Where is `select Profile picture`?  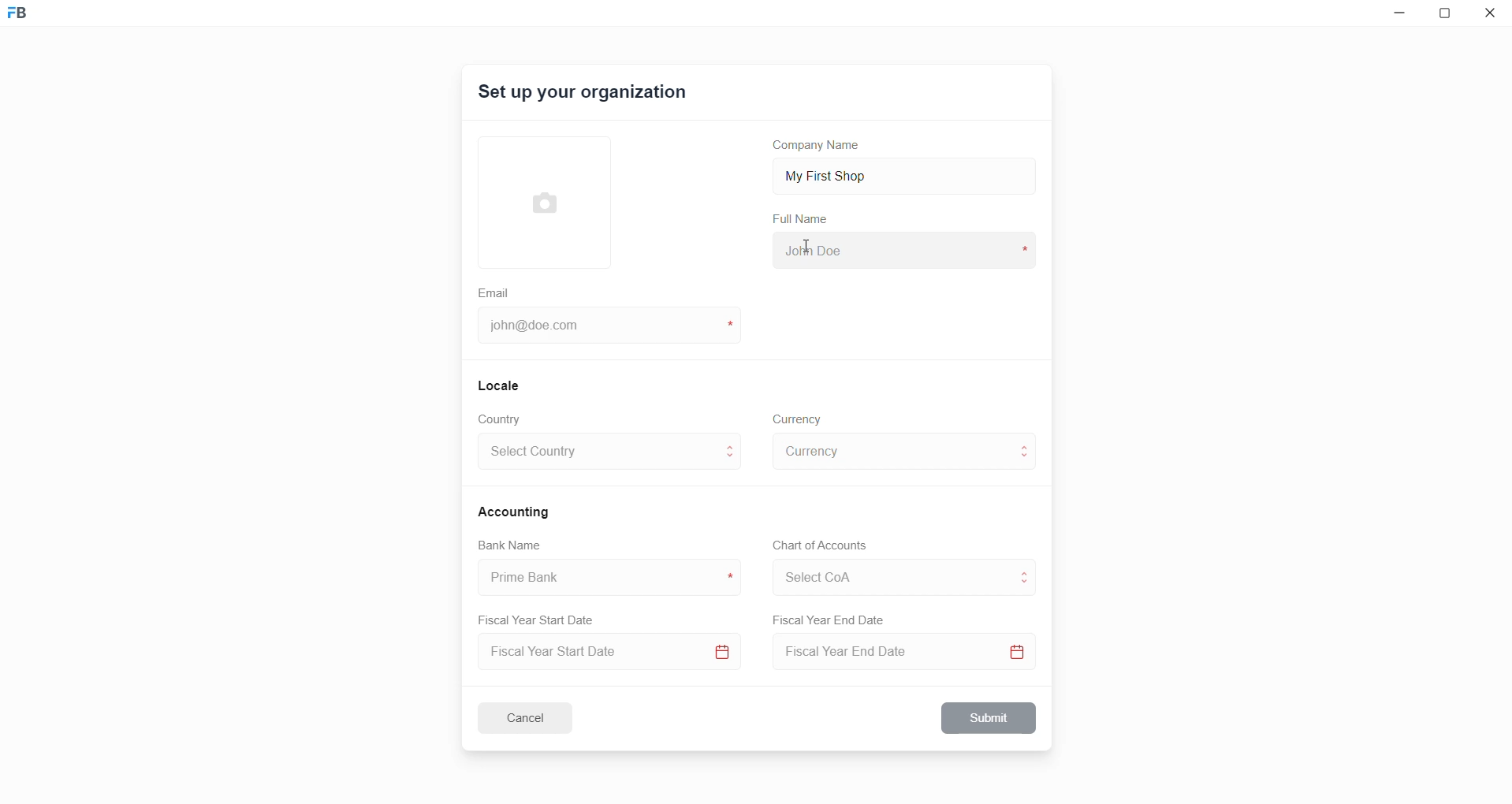 select Profile picture is located at coordinates (537, 200).